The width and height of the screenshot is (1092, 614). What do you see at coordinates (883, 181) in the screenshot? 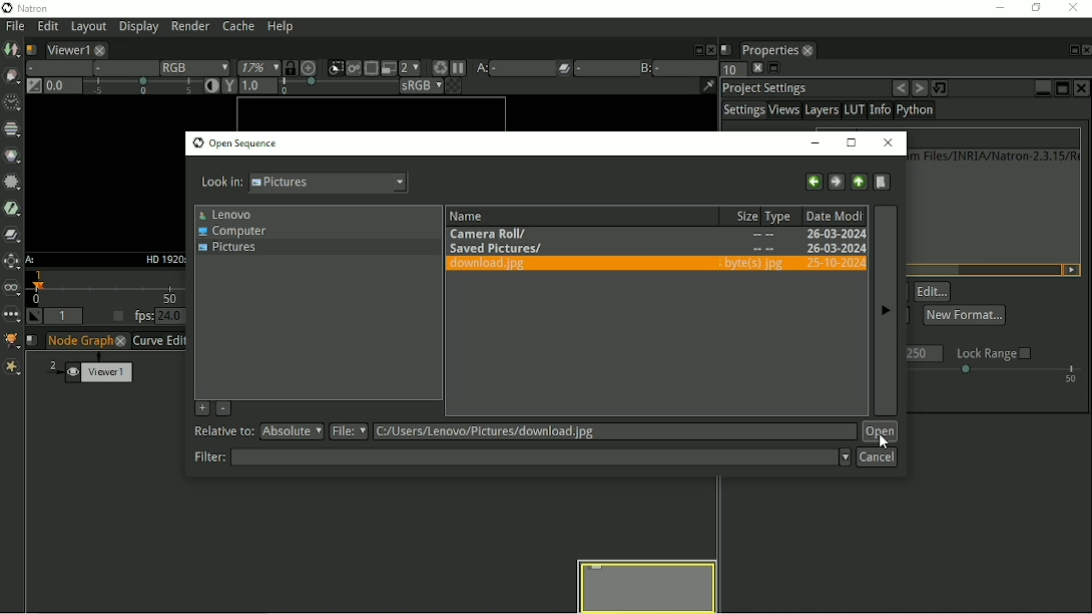
I see `Create a new directory here` at bounding box center [883, 181].